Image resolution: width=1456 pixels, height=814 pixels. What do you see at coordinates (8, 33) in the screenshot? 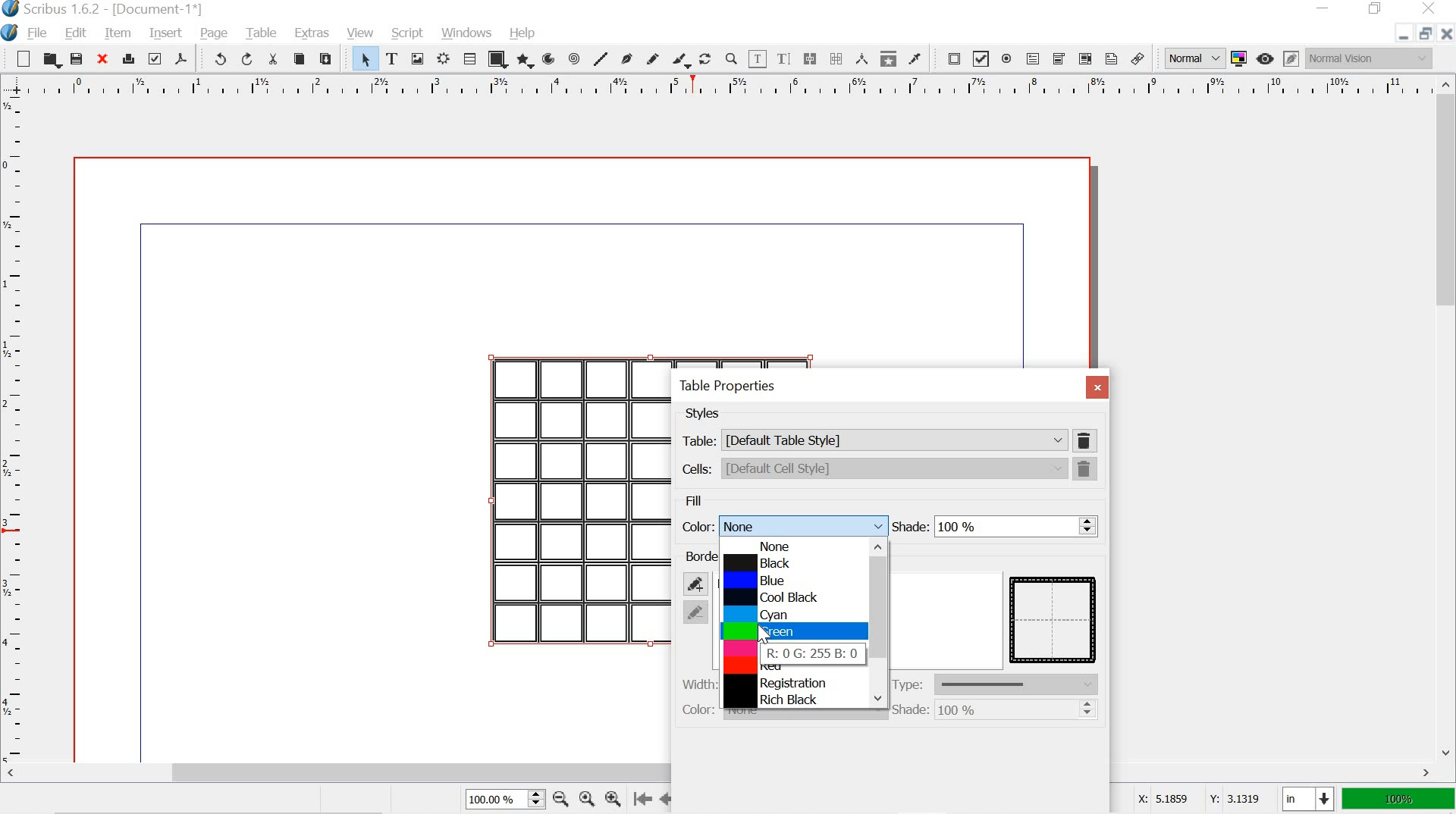
I see `logo` at bounding box center [8, 33].